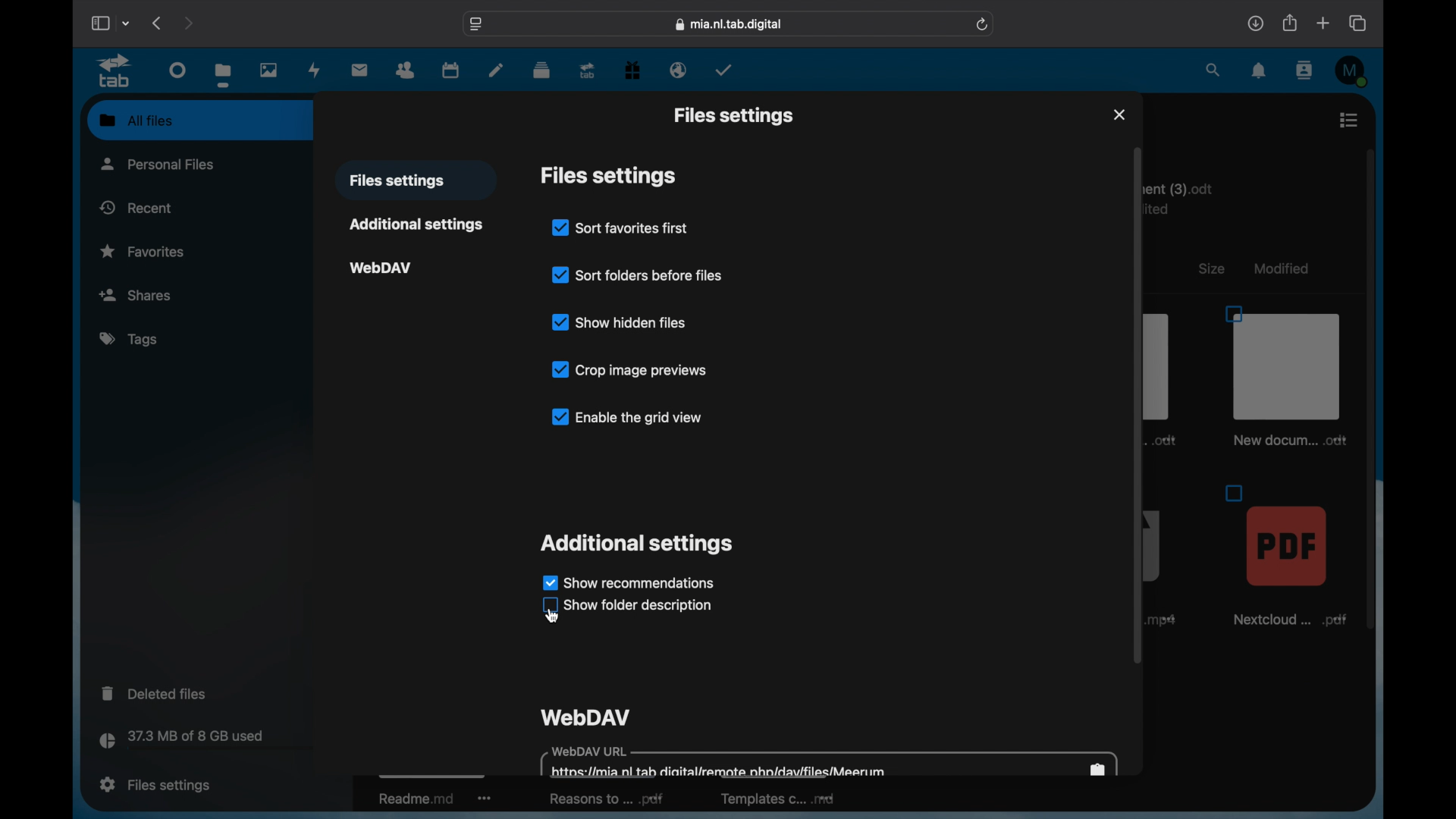 Image resolution: width=1456 pixels, height=819 pixels. Describe the element at coordinates (606, 799) in the screenshot. I see `reasonsto` at that location.